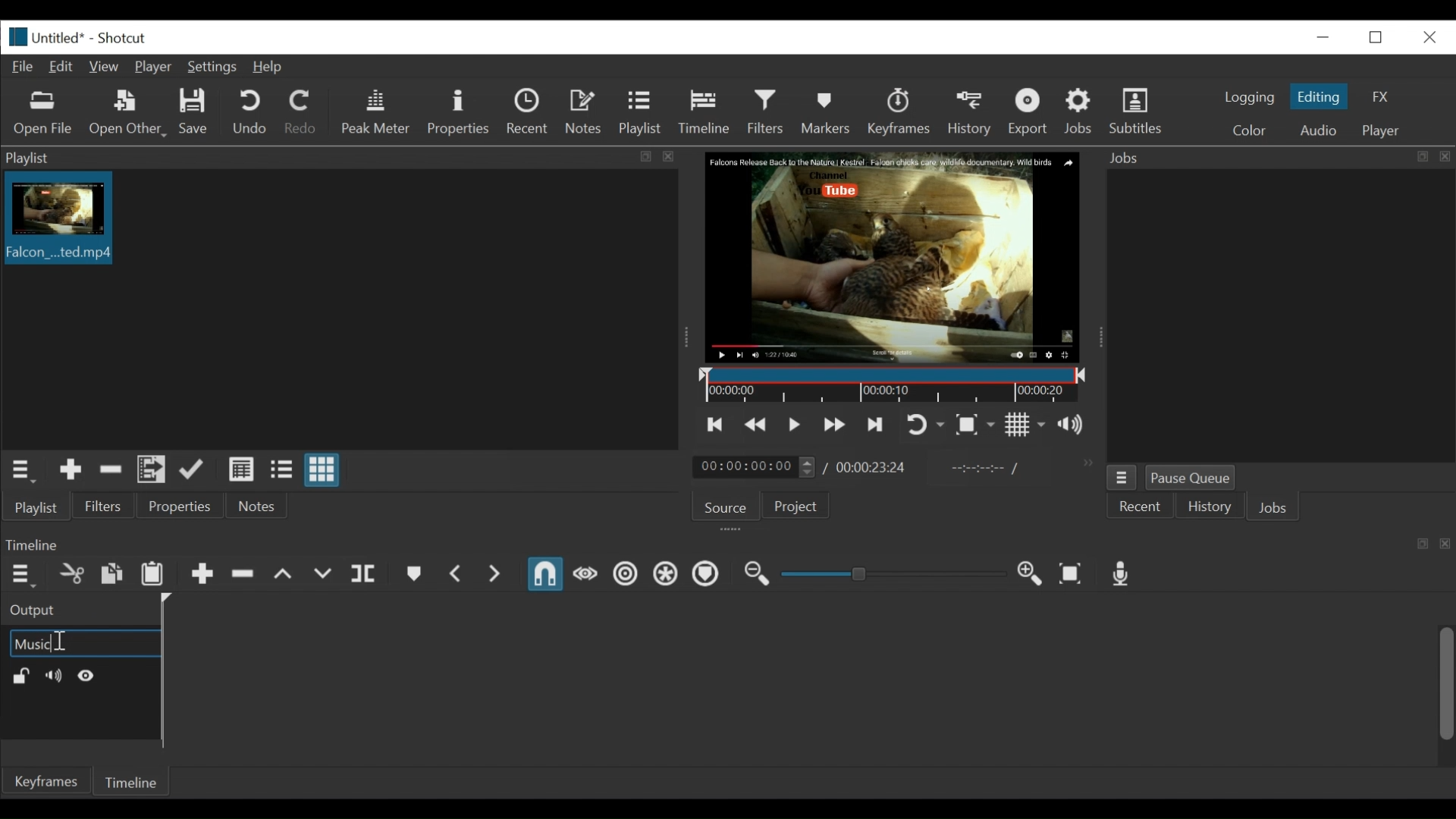 This screenshot has width=1456, height=819. What do you see at coordinates (105, 66) in the screenshot?
I see `View` at bounding box center [105, 66].